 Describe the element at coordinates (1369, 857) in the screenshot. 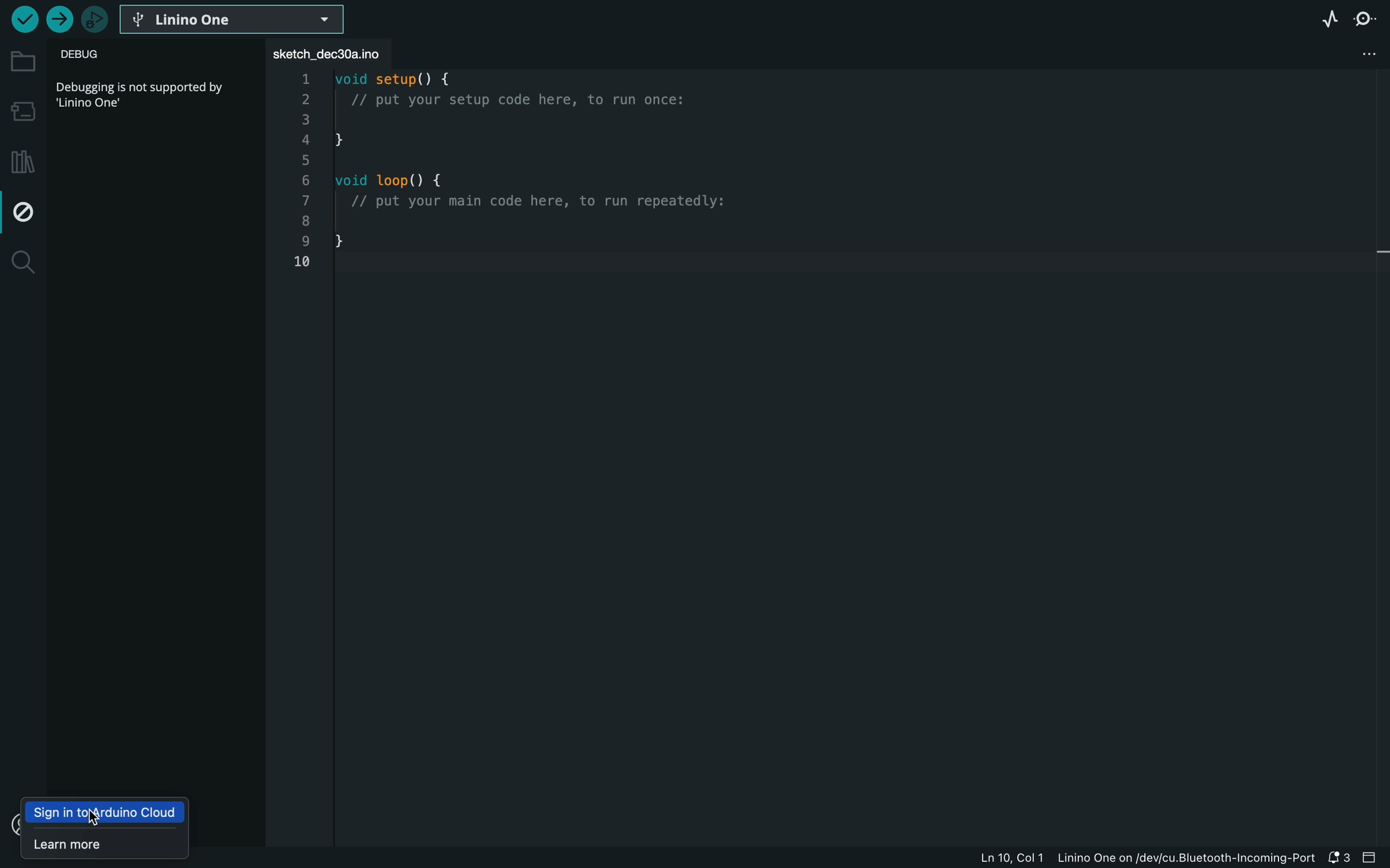

I see `close slide bar` at that location.